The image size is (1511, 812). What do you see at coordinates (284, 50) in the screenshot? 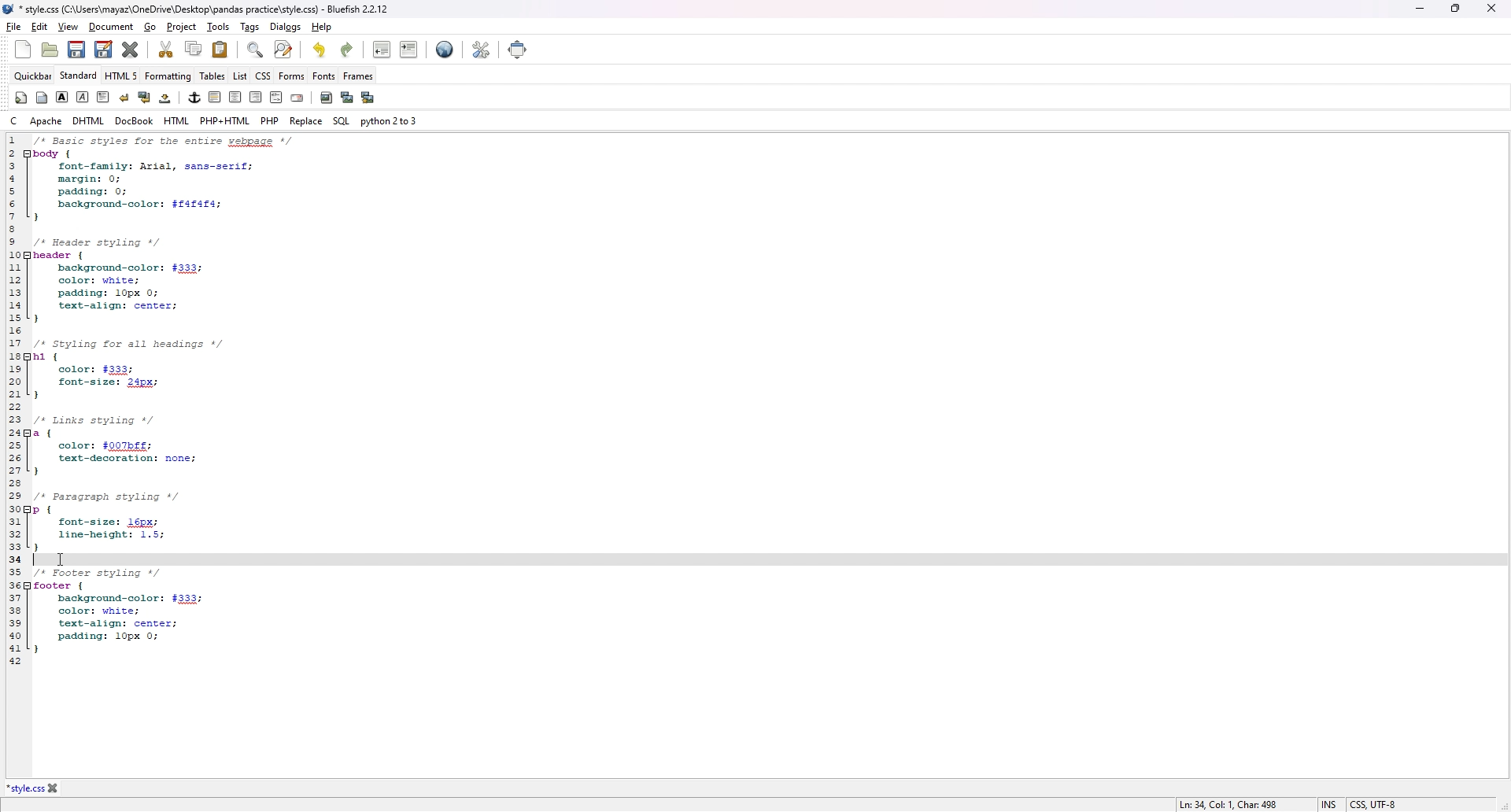
I see `advanced find and replace` at bounding box center [284, 50].